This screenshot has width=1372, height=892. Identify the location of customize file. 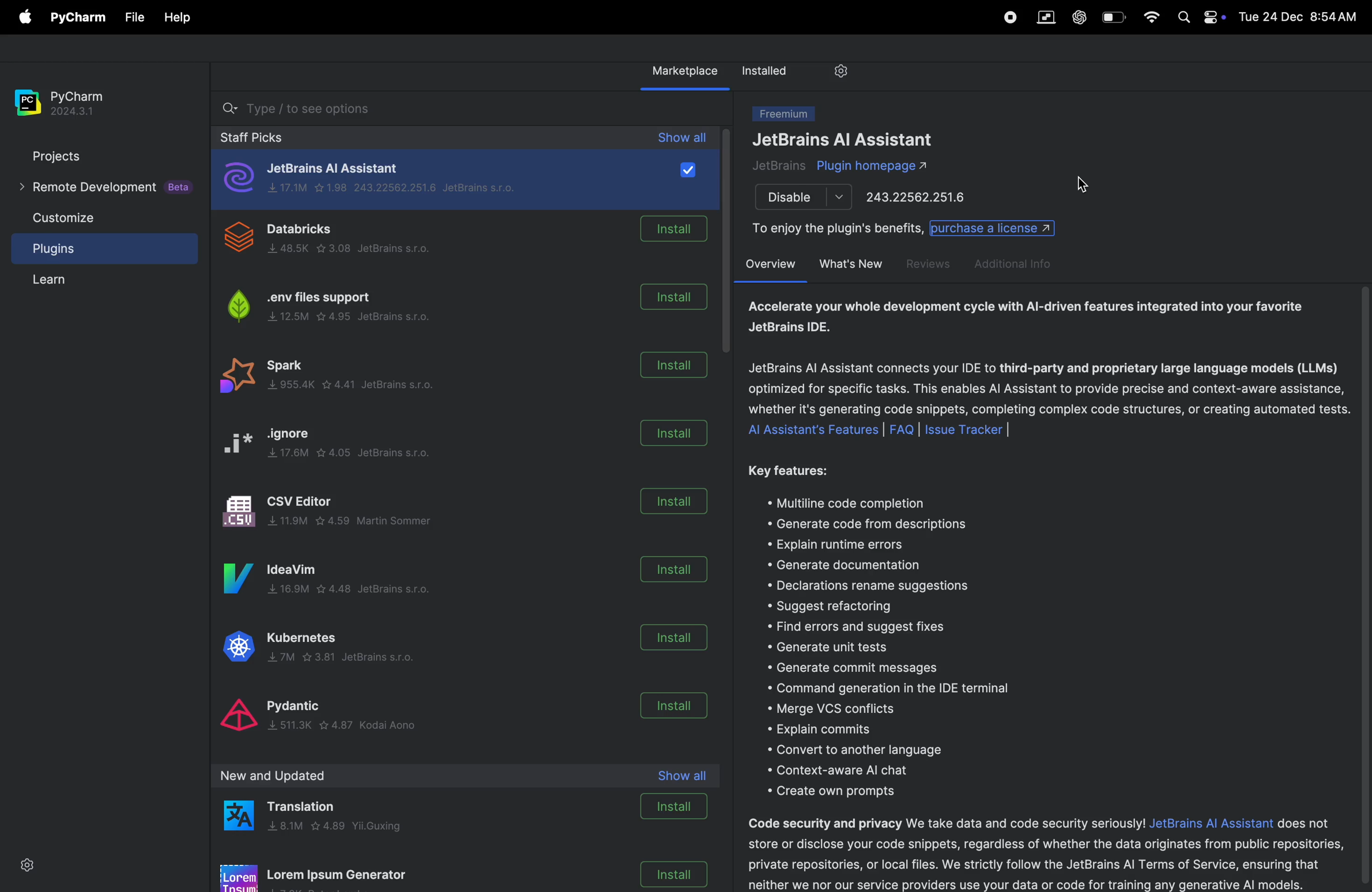
(89, 220).